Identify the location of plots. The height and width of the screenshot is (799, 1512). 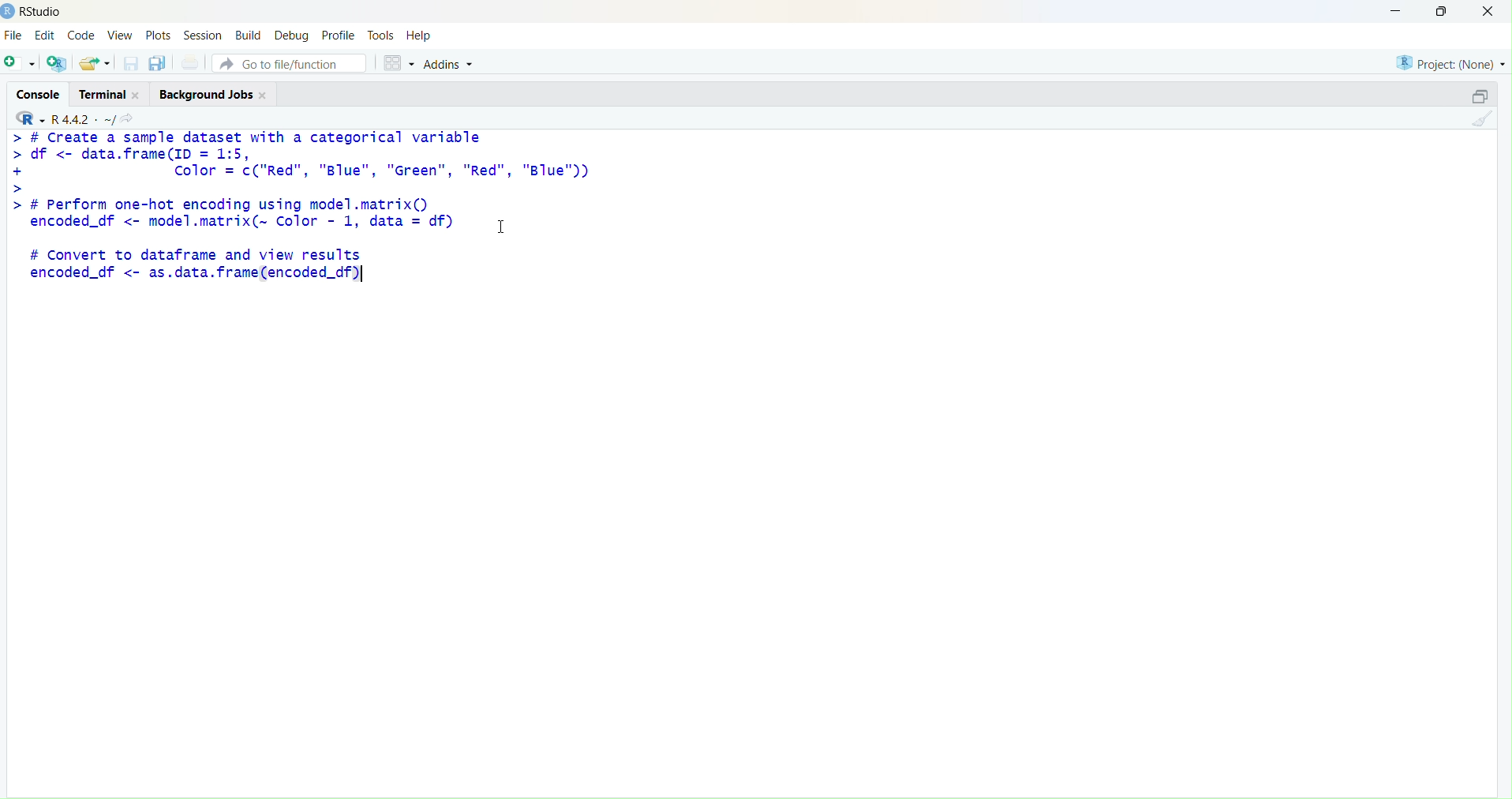
(158, 36).